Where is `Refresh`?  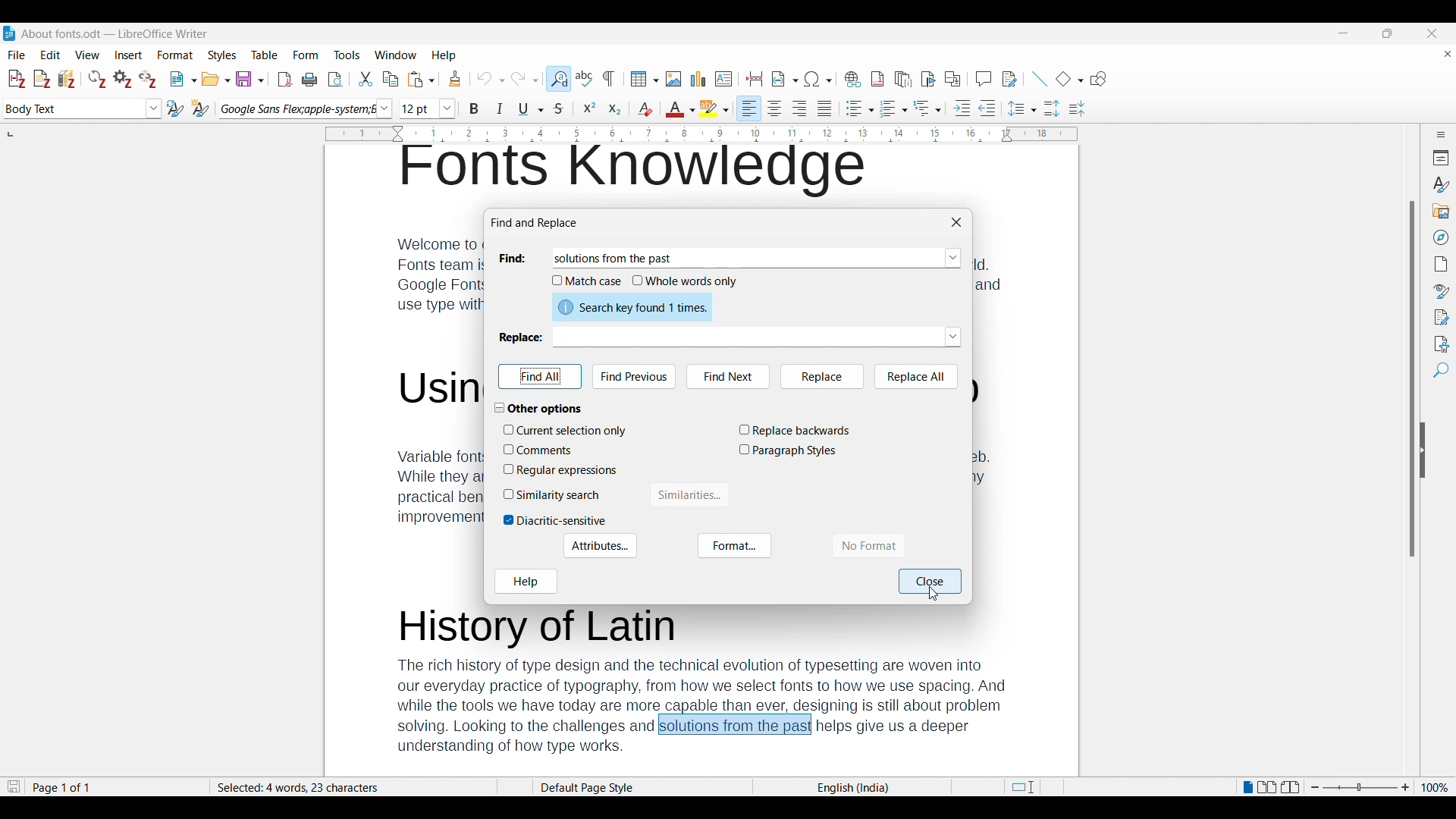 Refresh is located at coordinates (97, 79).